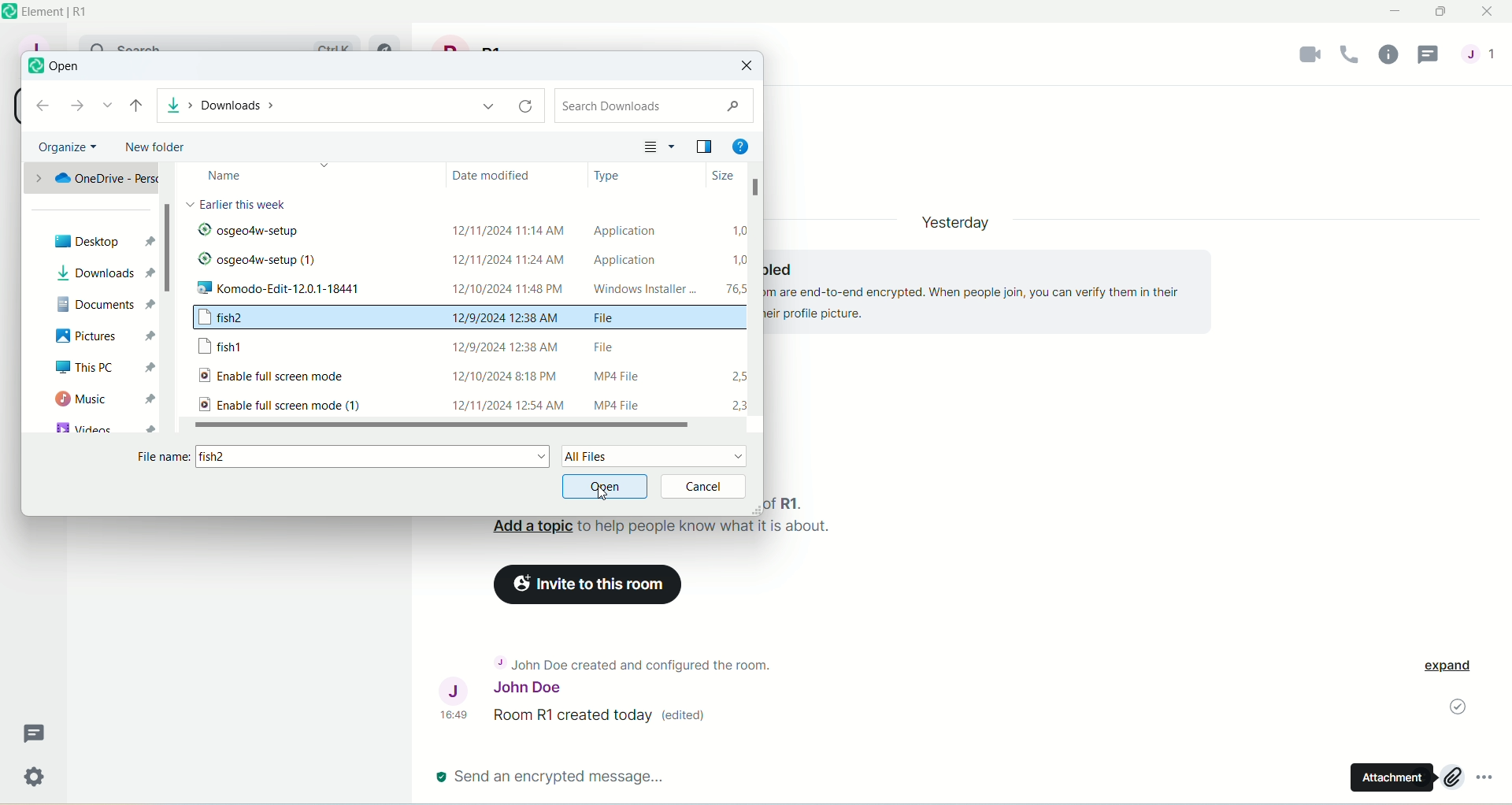 Image resolution: width=1512 pixels, height=805 pixels. I want to click on ‘Windows Installer .., so click(639, 290).